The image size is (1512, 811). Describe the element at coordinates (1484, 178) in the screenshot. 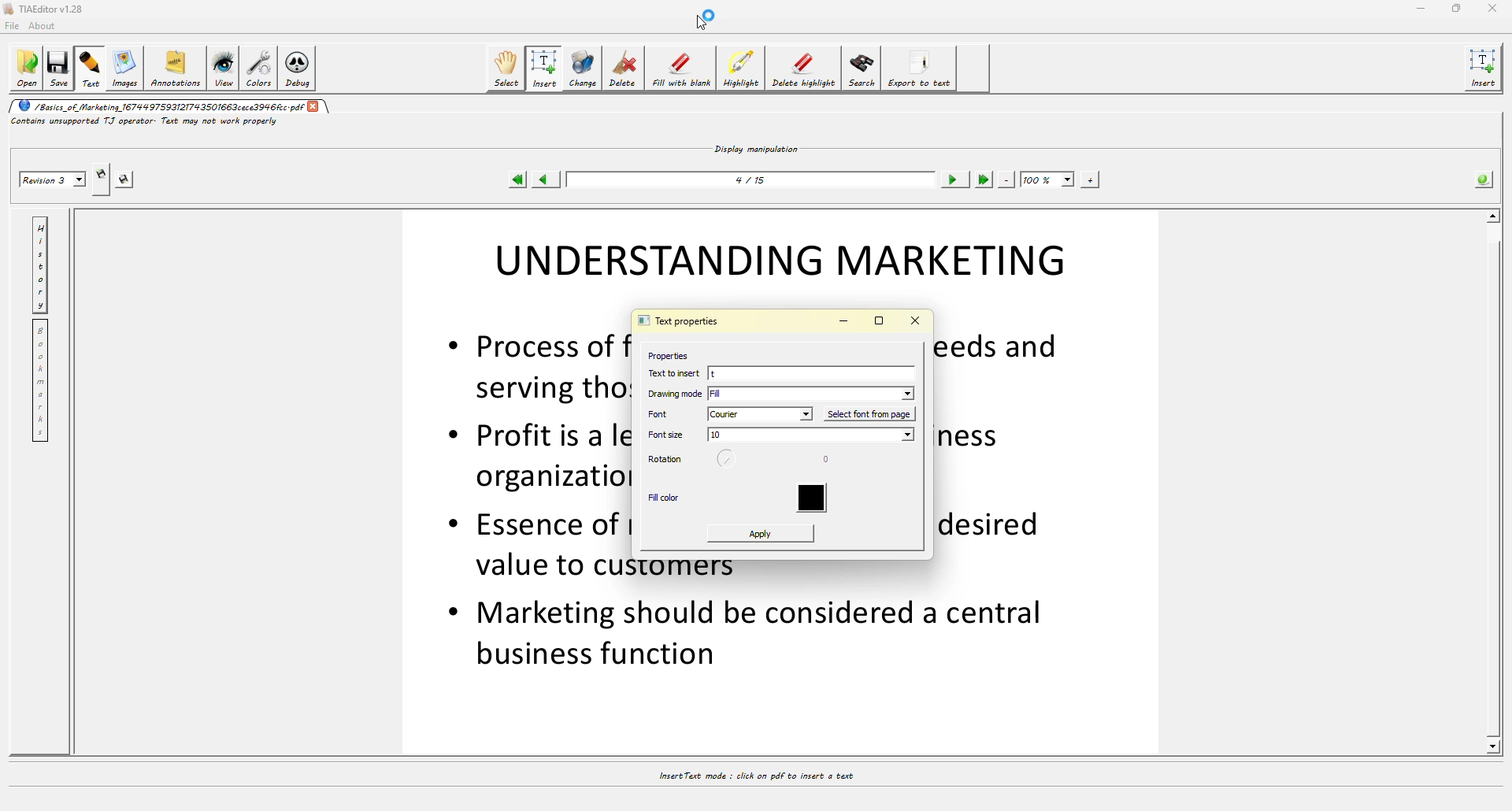

I see `info about pdf` at that location.